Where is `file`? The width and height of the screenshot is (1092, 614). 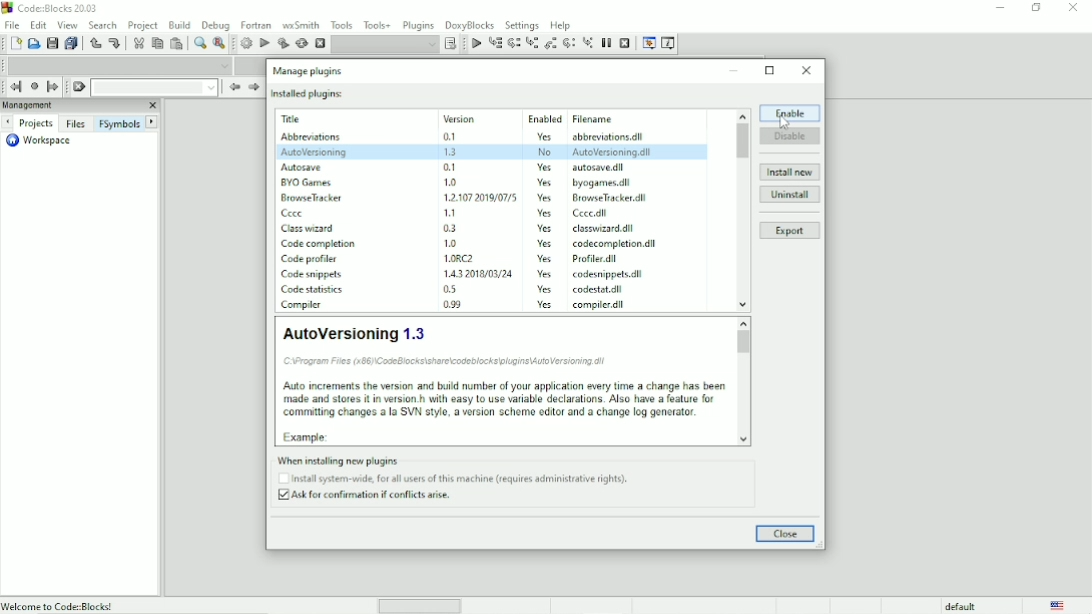
file is located at coordinates (602, 304).